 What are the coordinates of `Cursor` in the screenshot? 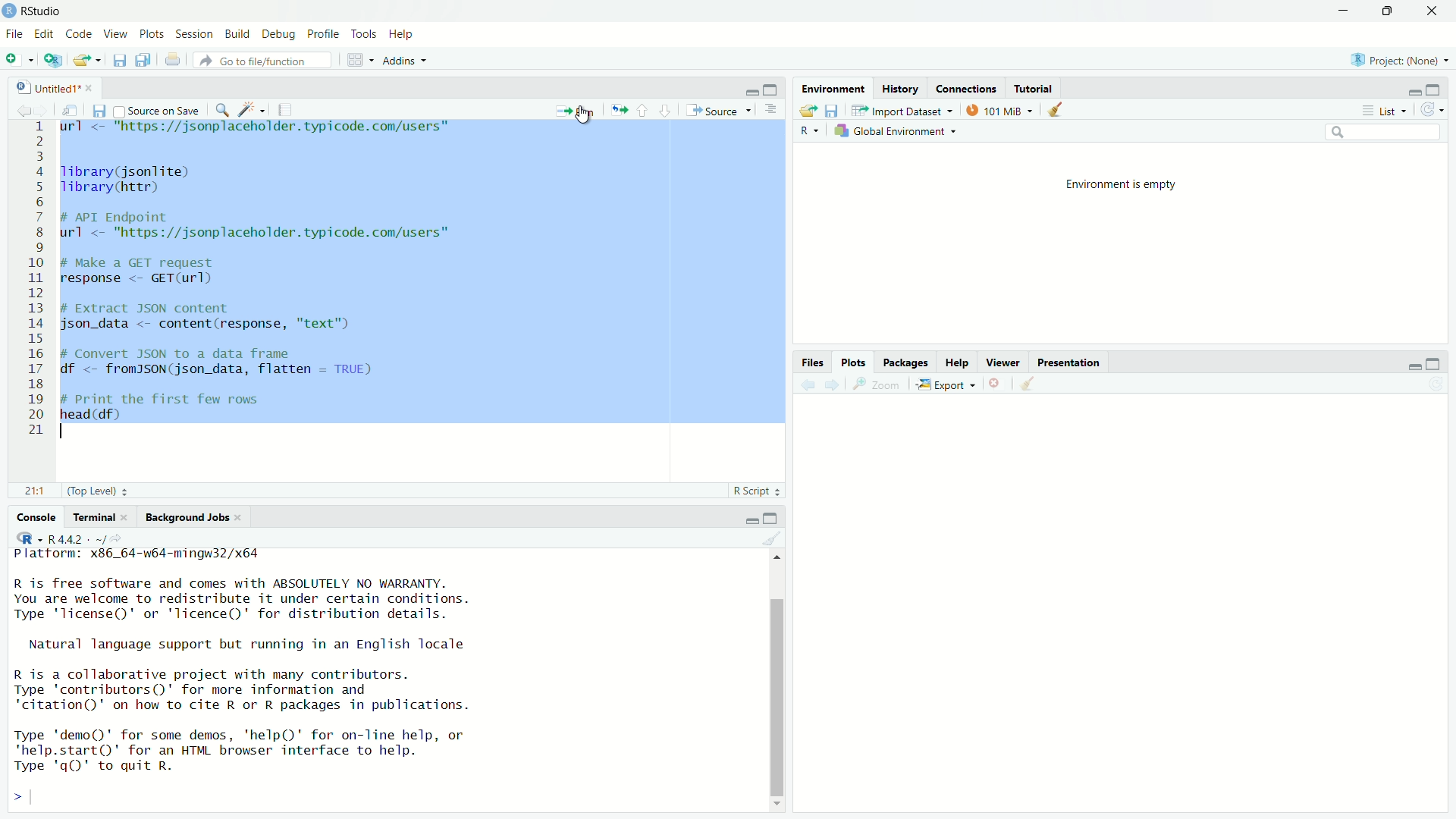 It's located at (581, 117).